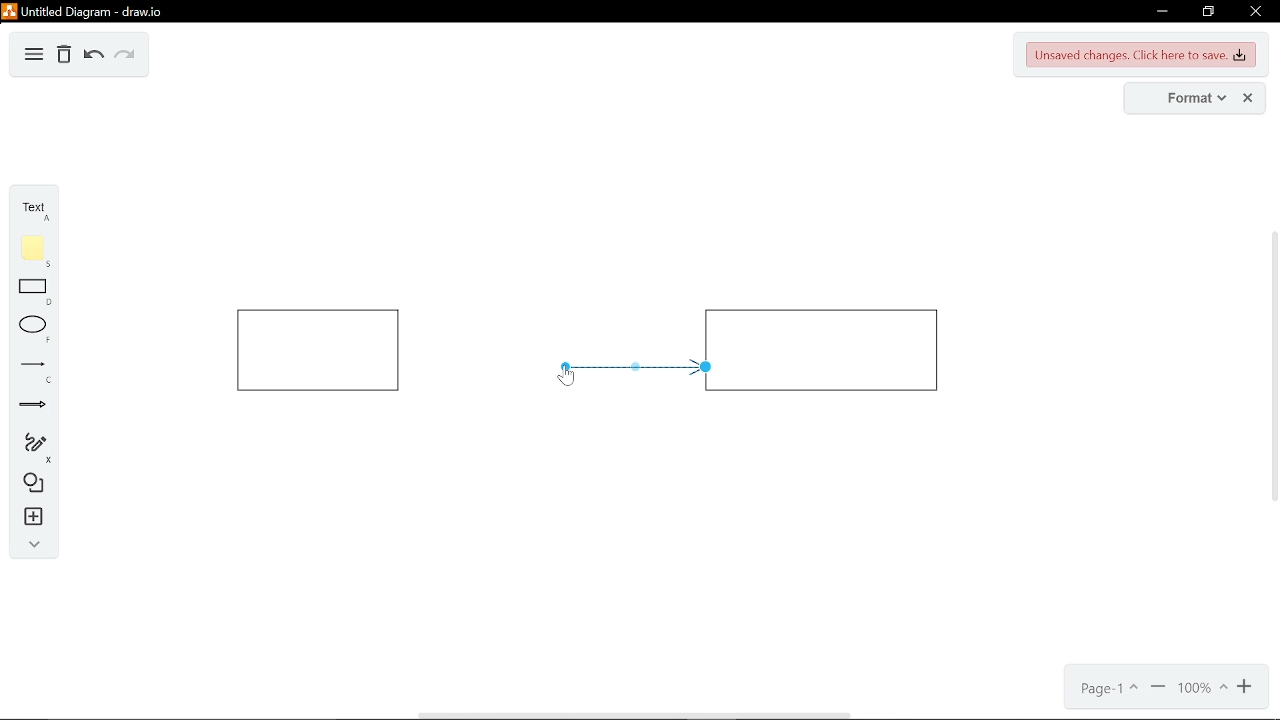 The image size is (1280, 720). What do you see at coordinates (1106, 691) in the screenshot?
I see `current page` at bounding box center [1106, 691].